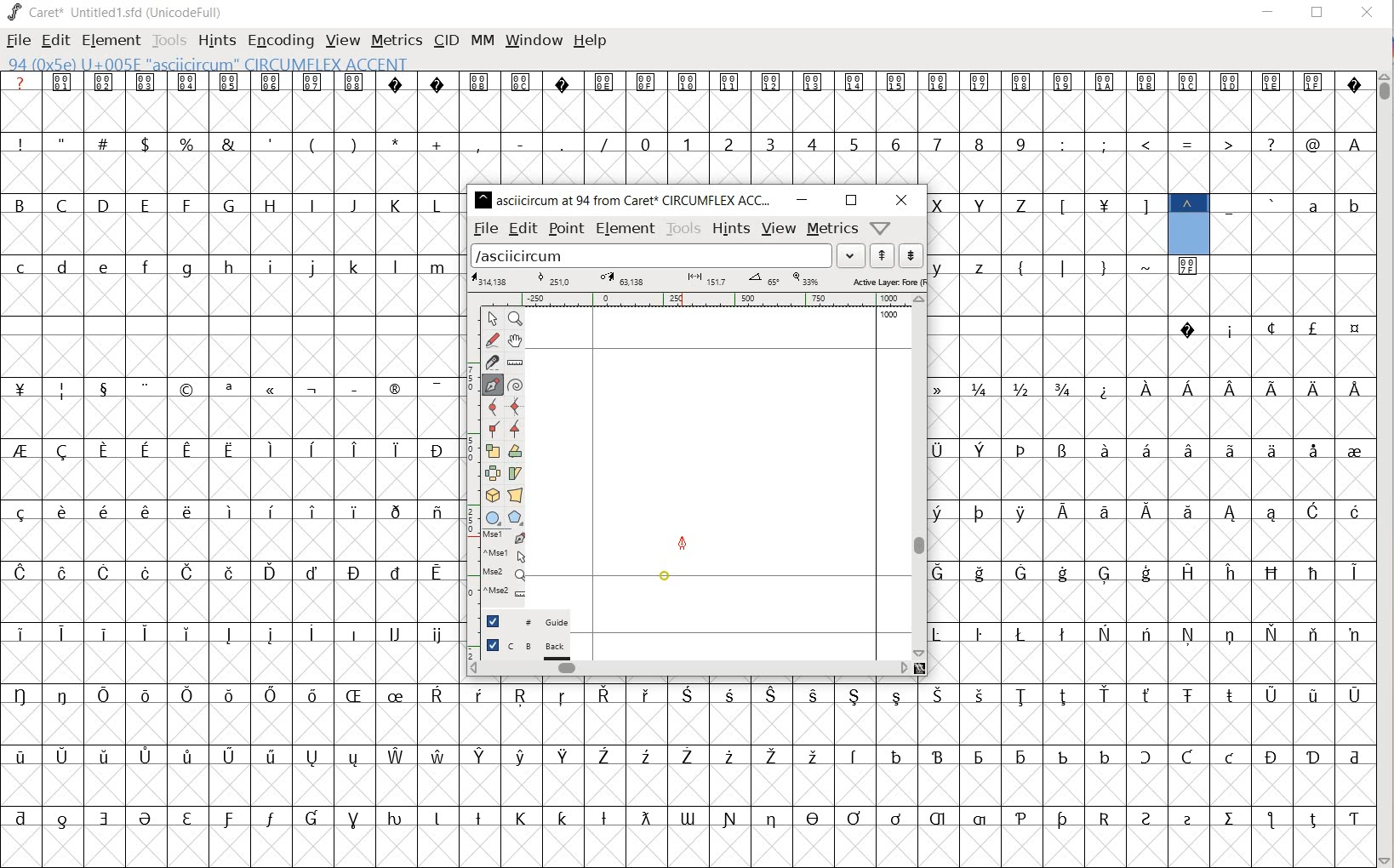 Image resolution: width=1394 pixels, height=868 pixels. I want to click on glyph characters, so click(920, 774).